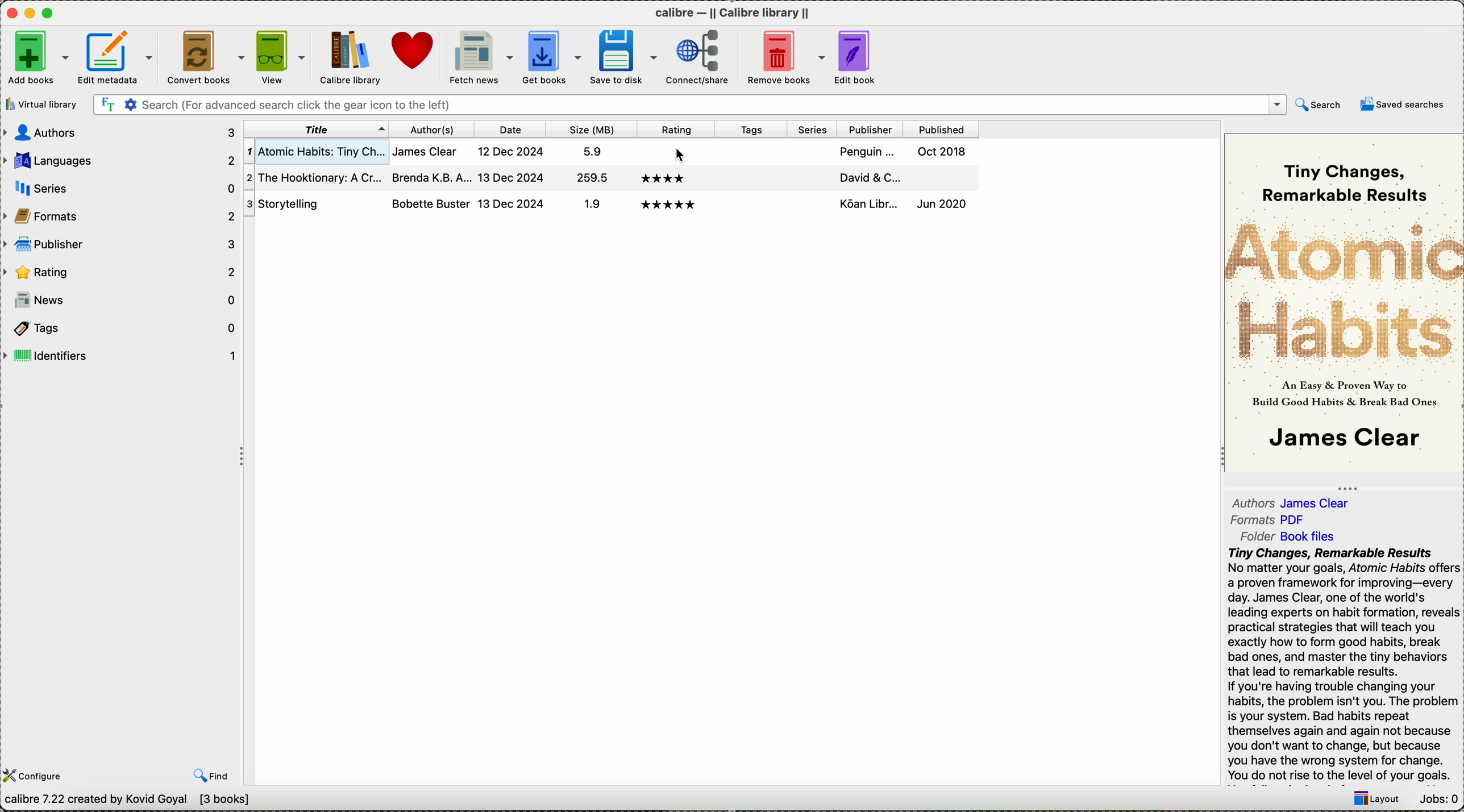 The image size is (1464, 812). What do you see at coordinates (121, 300) in the screenshot?
I see `news` at bounding box center [121, 300].